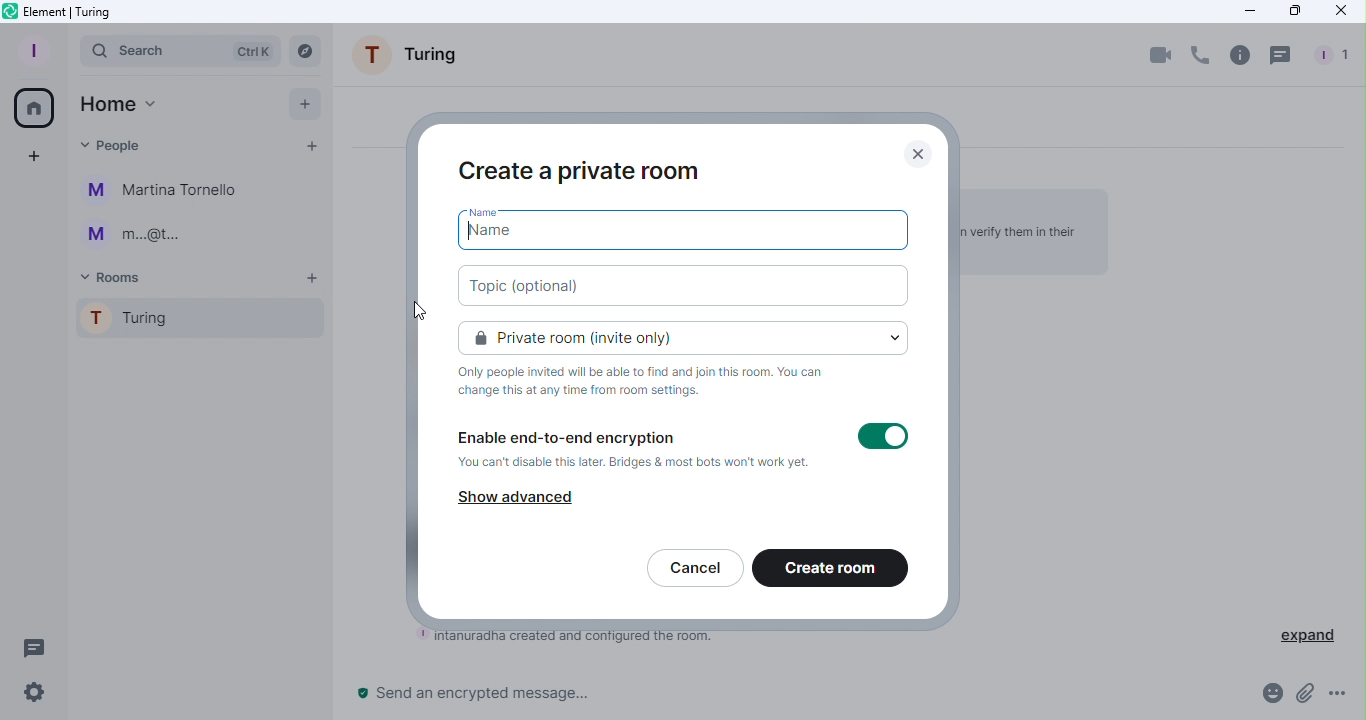 This screenshot has height=720, width=1366. Describe the element at coordinates (1239, 54) in the screenshot. I see `Room info` at that location.